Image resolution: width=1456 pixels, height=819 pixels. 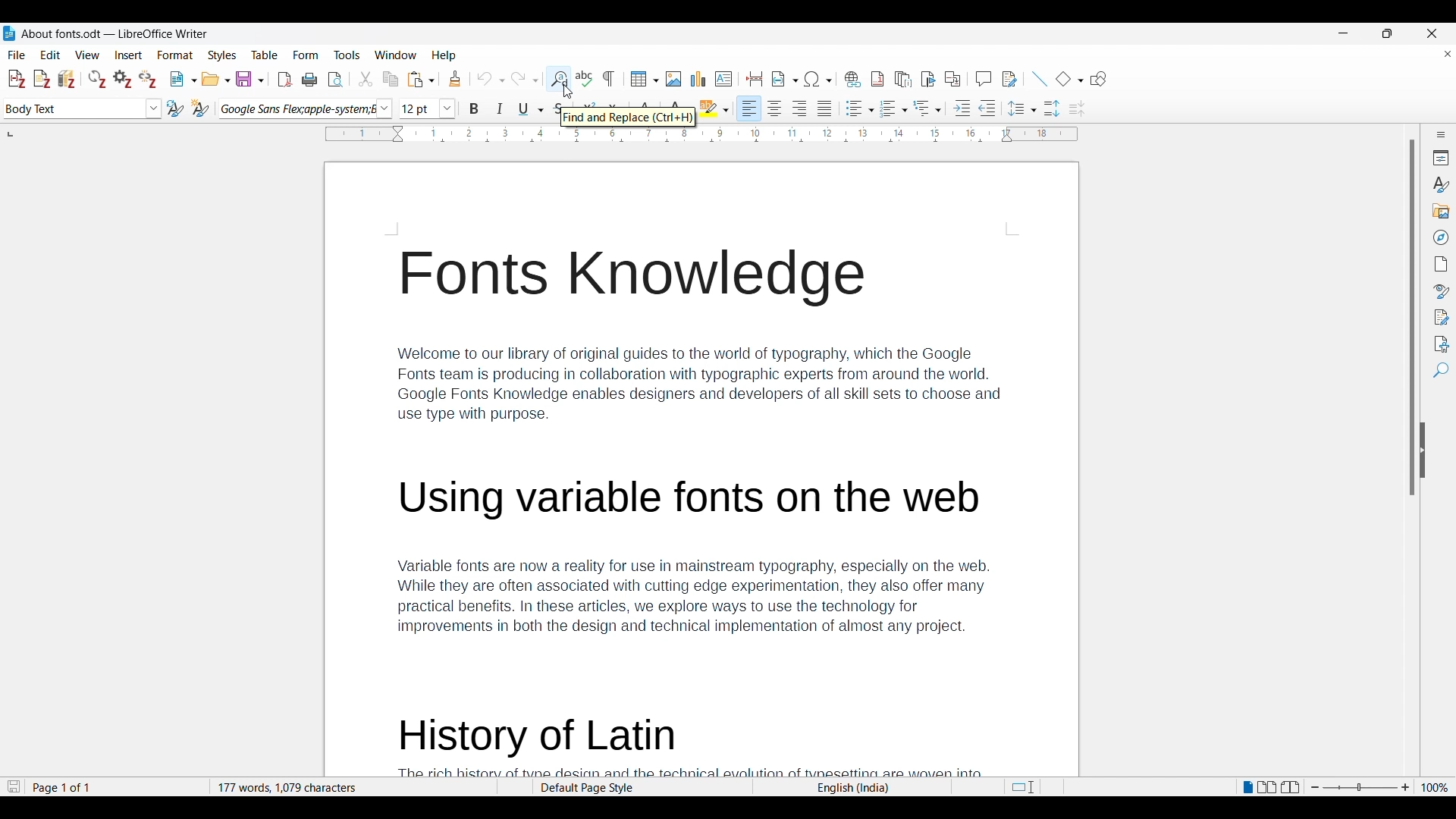 What do you see at coordinates (1439, 318) in the screenshot?
I see `Manage changes` at bounding box center [1439, 318].